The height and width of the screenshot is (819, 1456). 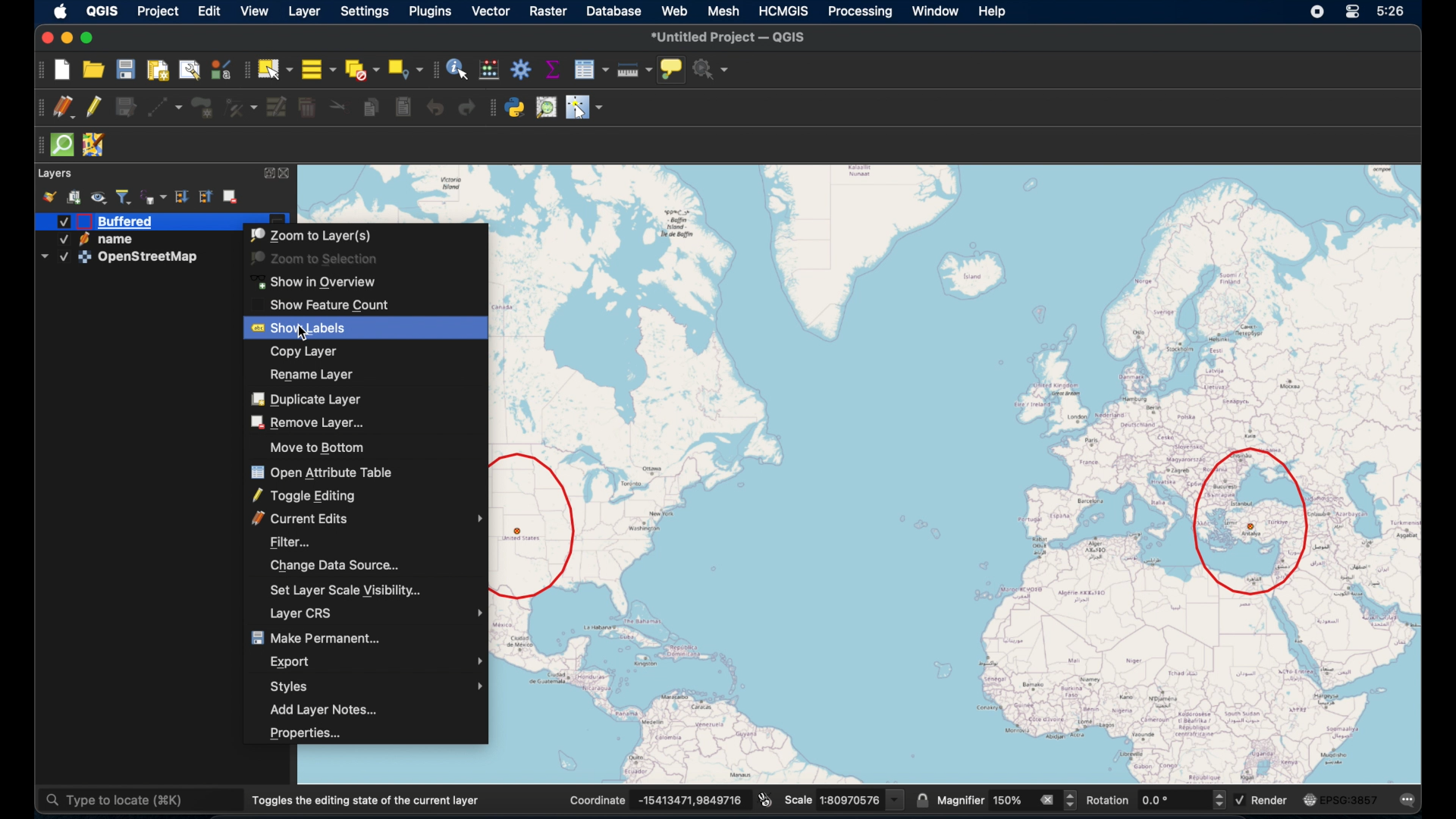 I want to click on cut features, so click(x=338, y=107).